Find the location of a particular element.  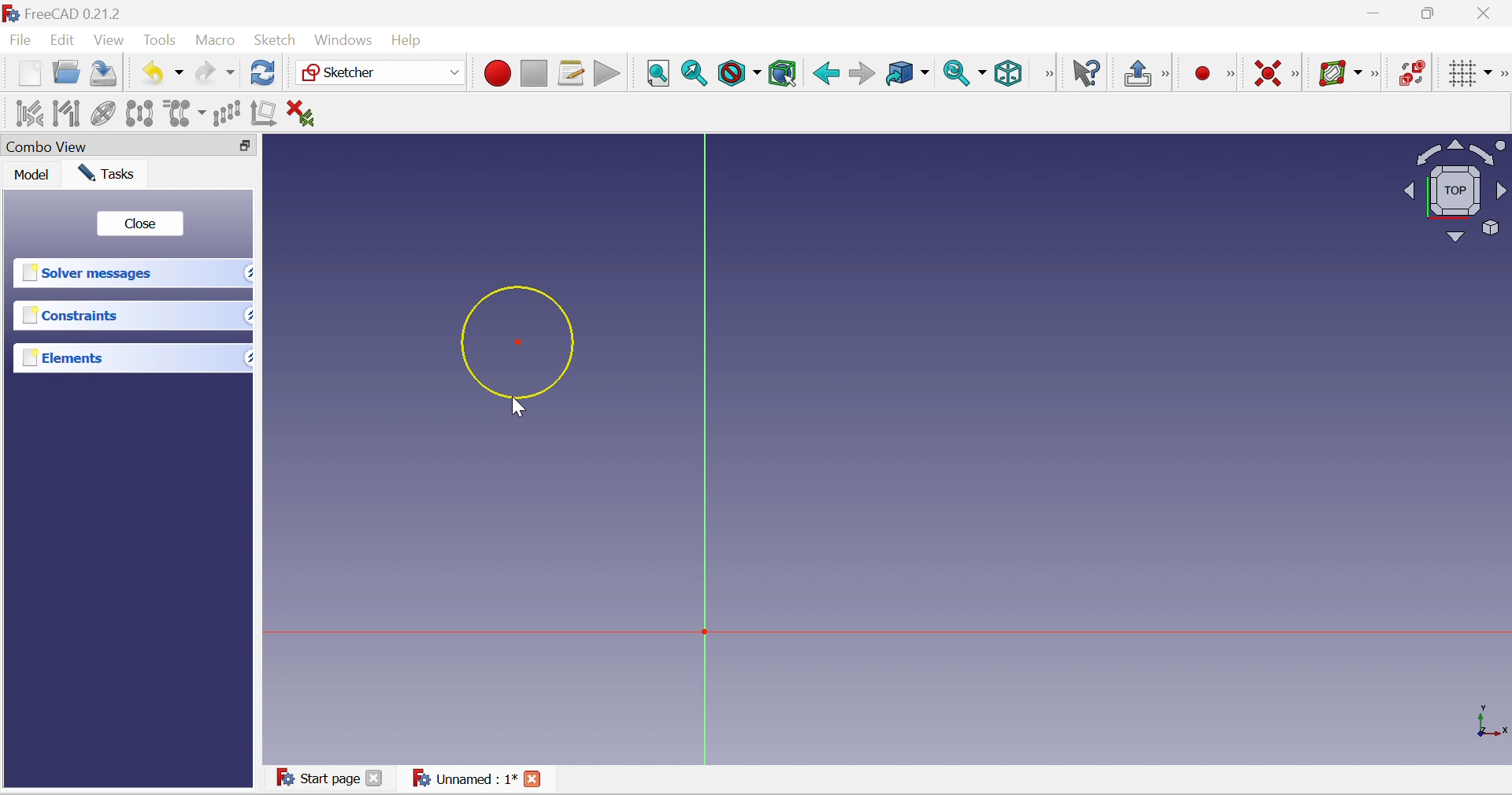

Drop down is located at coordinates (245, 272).